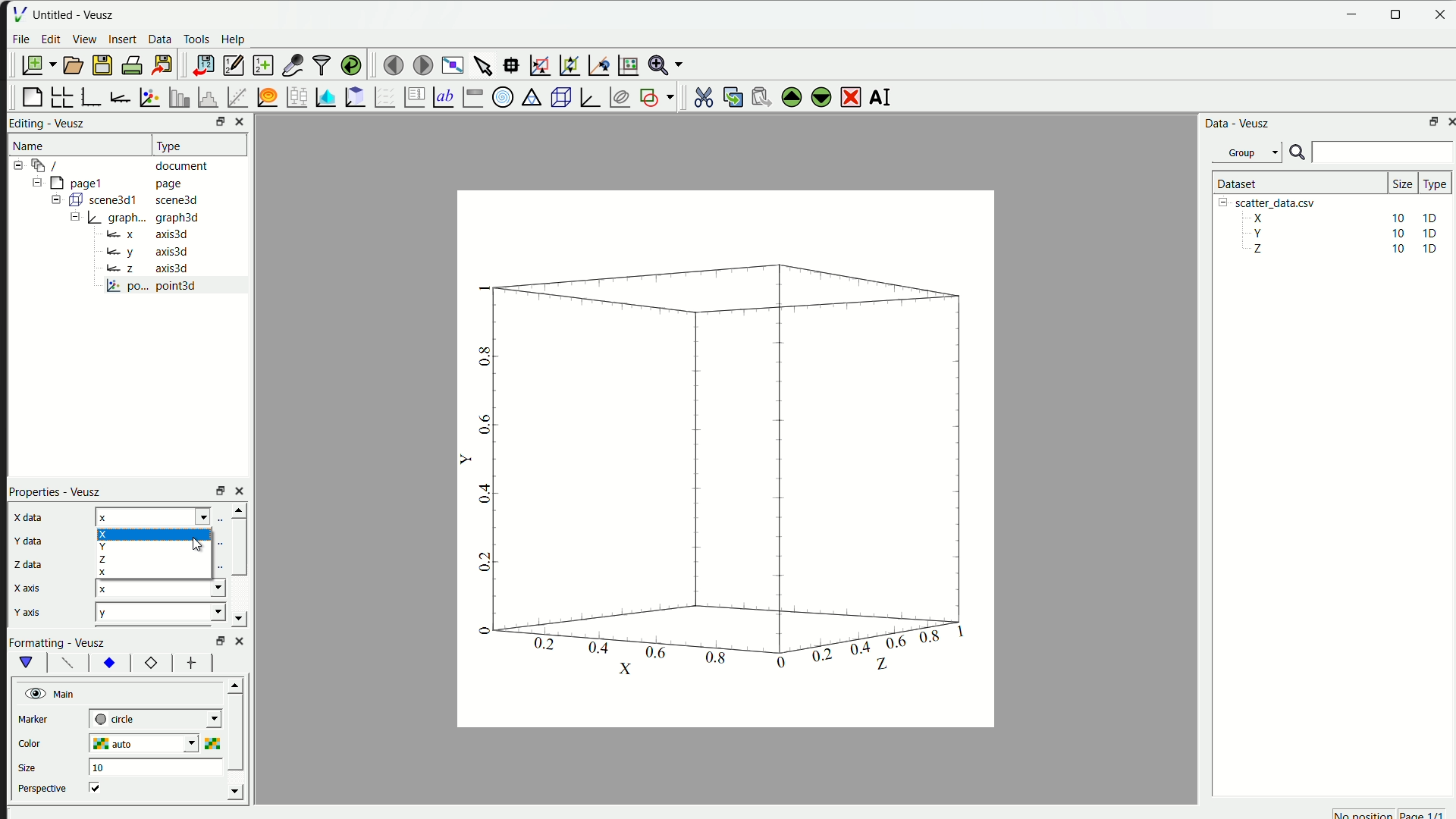  What do you see at coordinates (200, 65) in the screenshot?
I see `import data` at bounding box center [200, 65].